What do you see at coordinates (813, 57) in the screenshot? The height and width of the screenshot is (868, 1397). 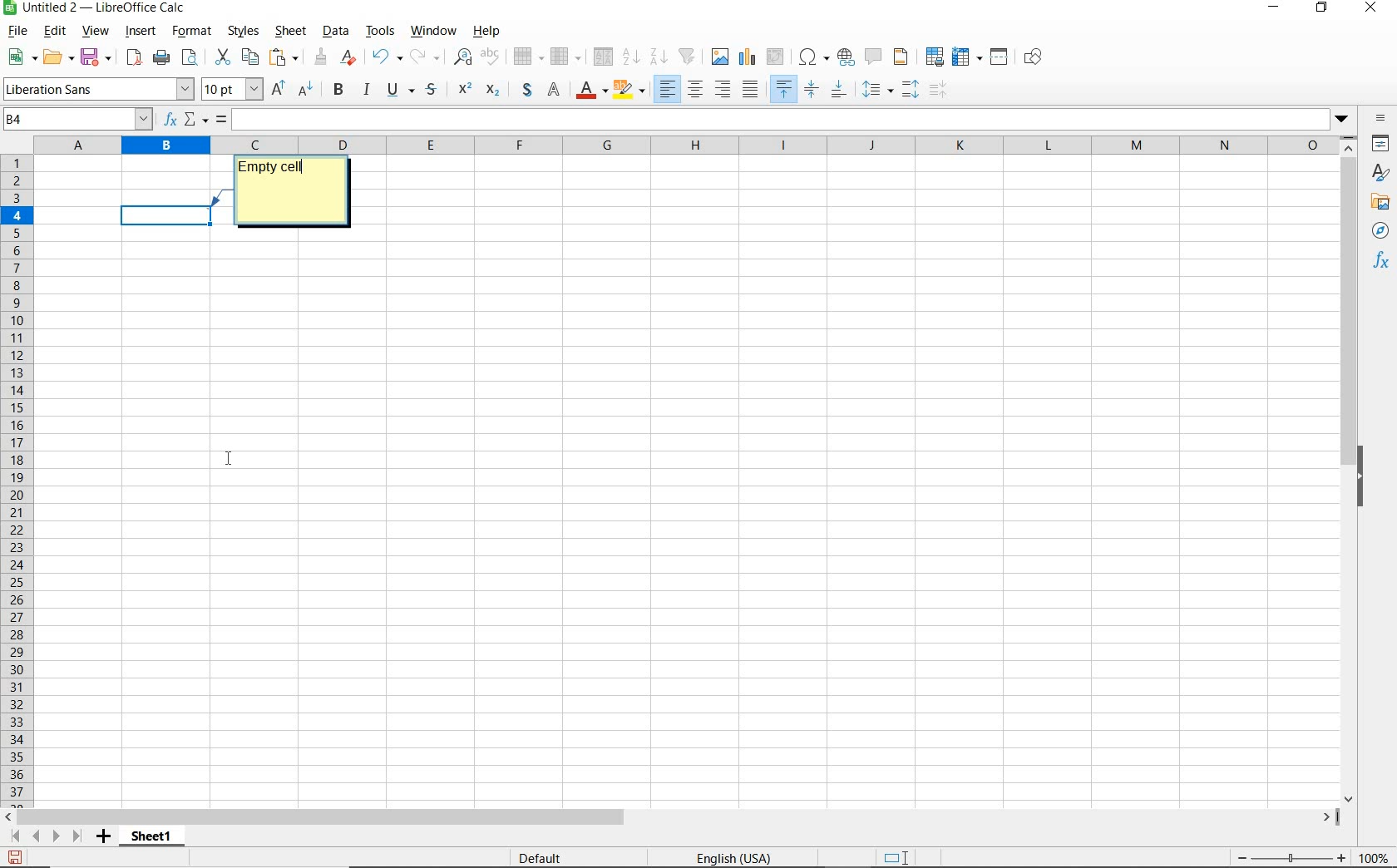 I see `insert special charaacters` at bounding box center [813, 57].